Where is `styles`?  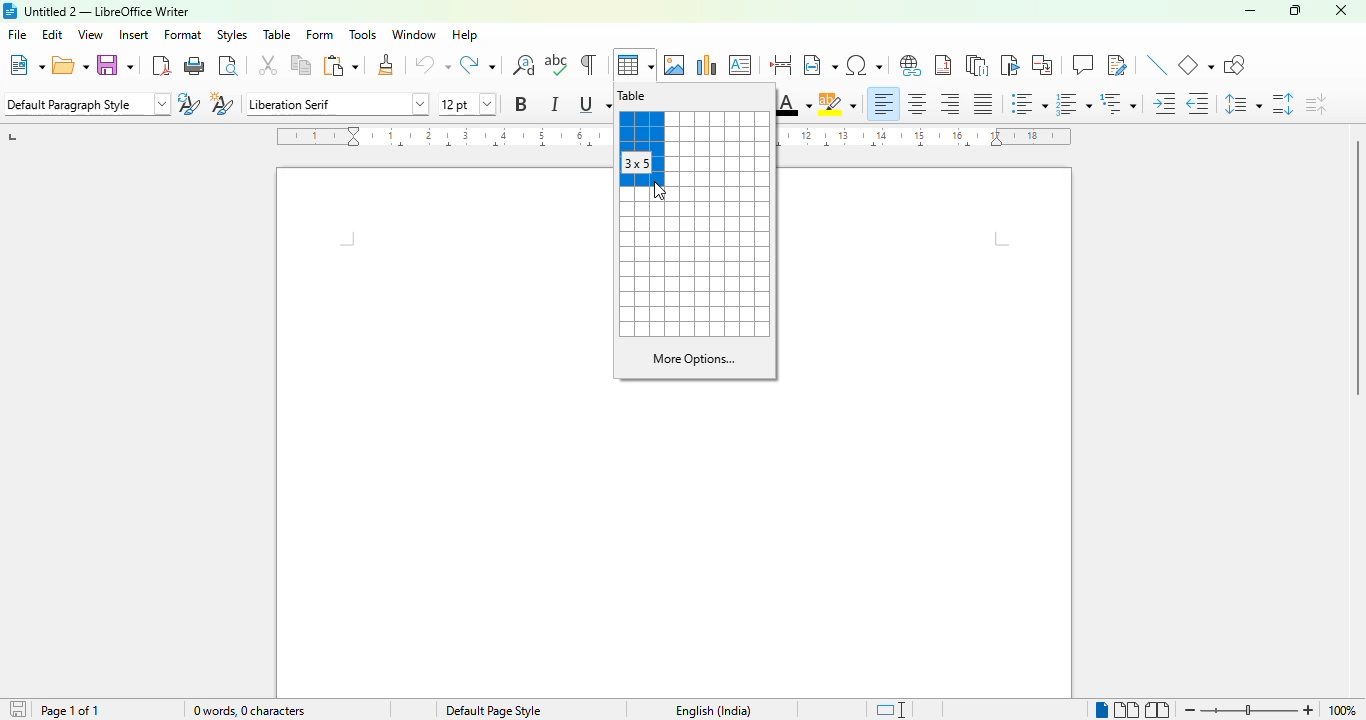
styles is located at coordinates (232, 36).